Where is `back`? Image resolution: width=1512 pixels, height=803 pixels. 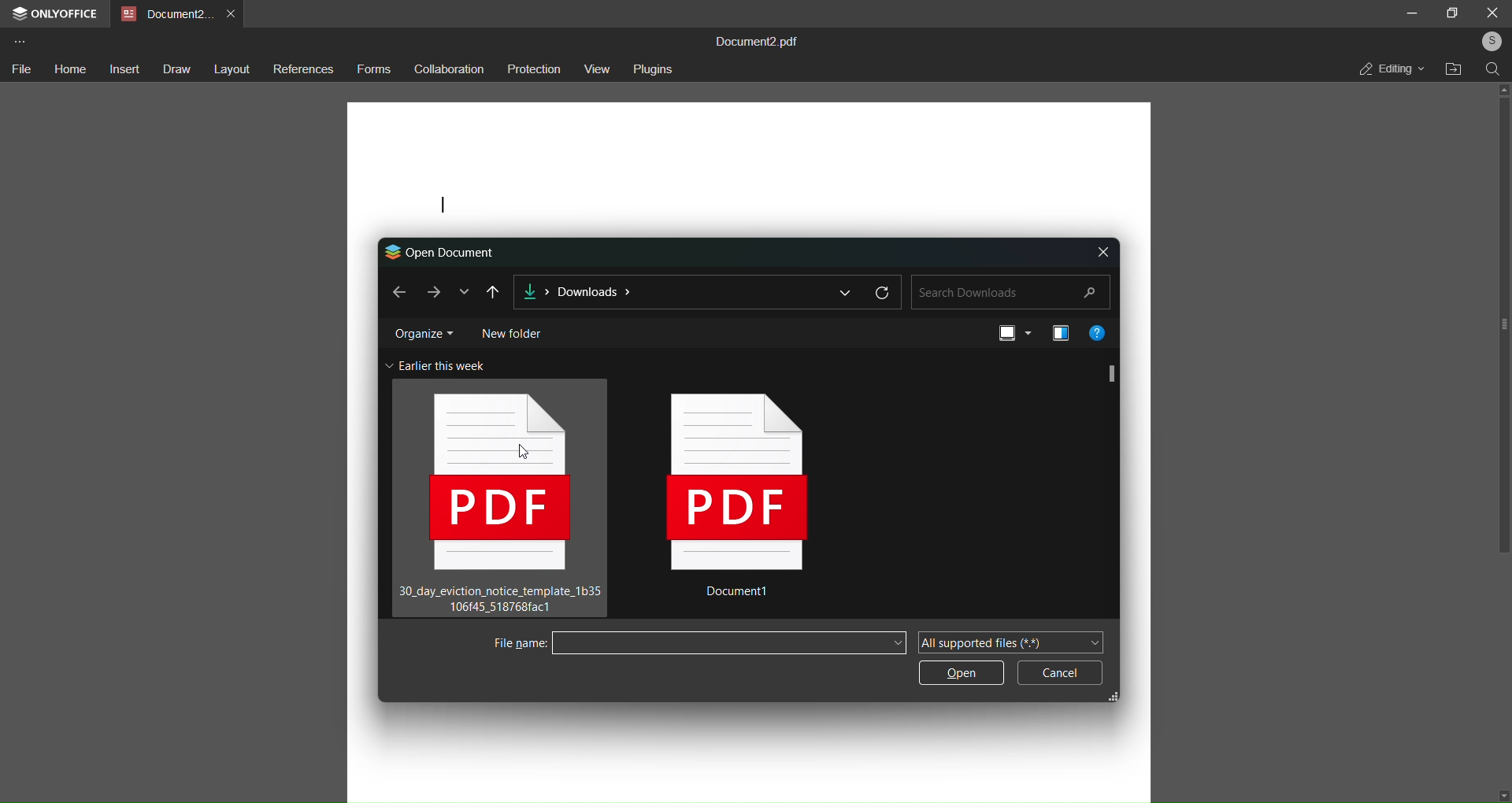 back is located at coordinates (397, 290).